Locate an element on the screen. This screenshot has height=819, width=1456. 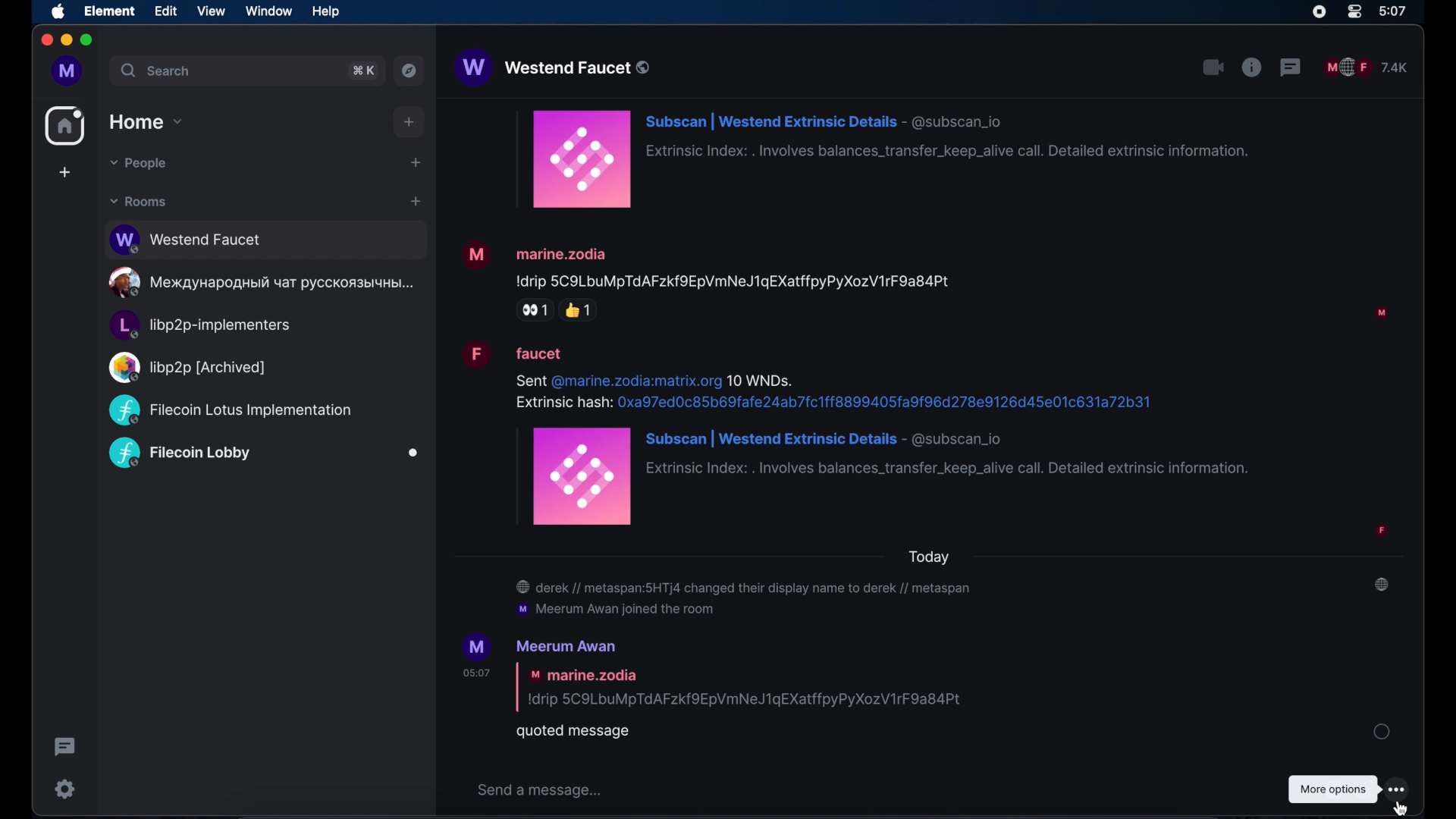
cursor is located at coordinates (1401, 807).